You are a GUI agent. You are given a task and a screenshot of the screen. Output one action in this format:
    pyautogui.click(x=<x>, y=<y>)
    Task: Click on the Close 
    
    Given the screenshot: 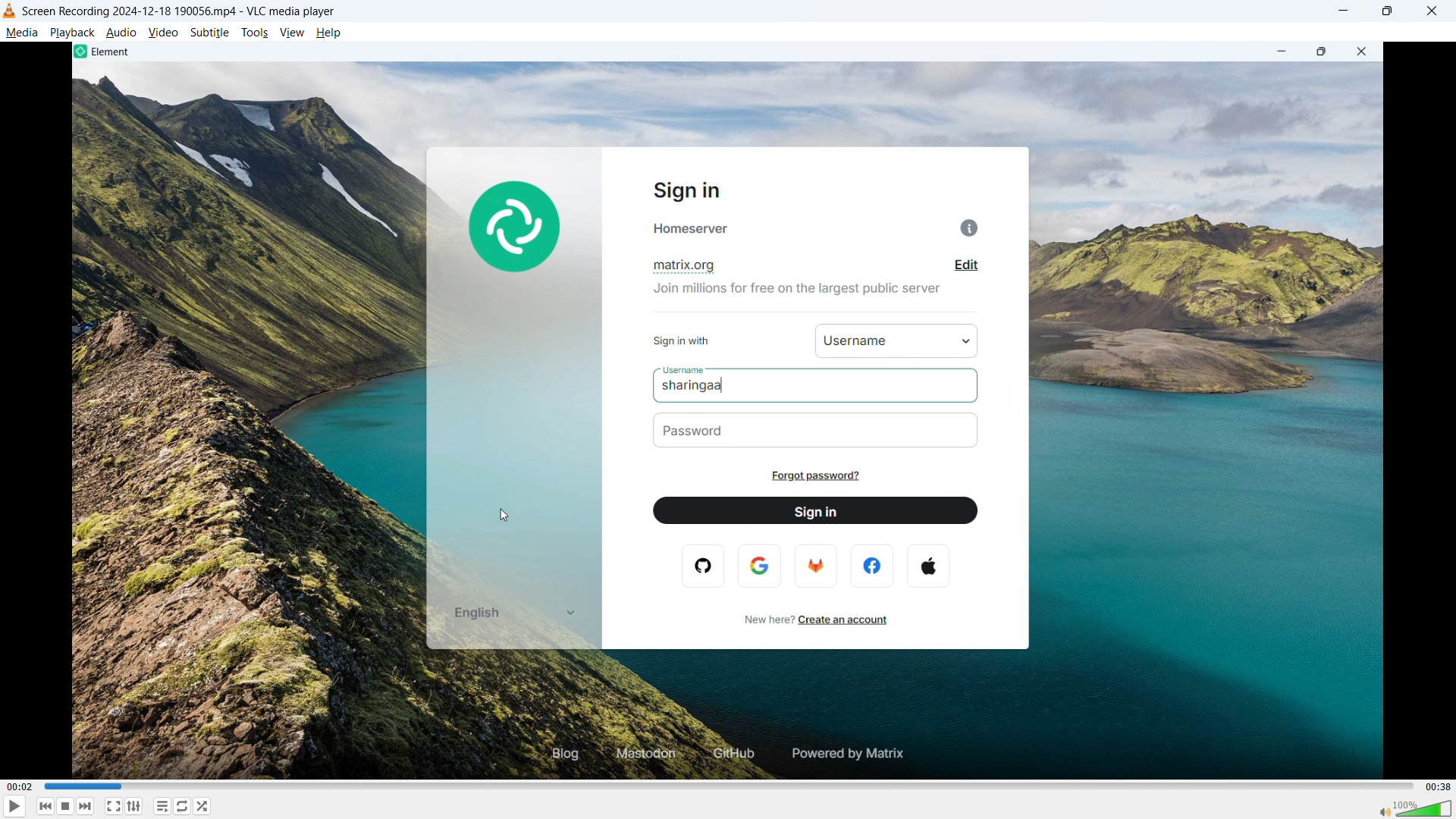 What is the action you would take?
    pyautogui.click(x=1432, y=11)
    